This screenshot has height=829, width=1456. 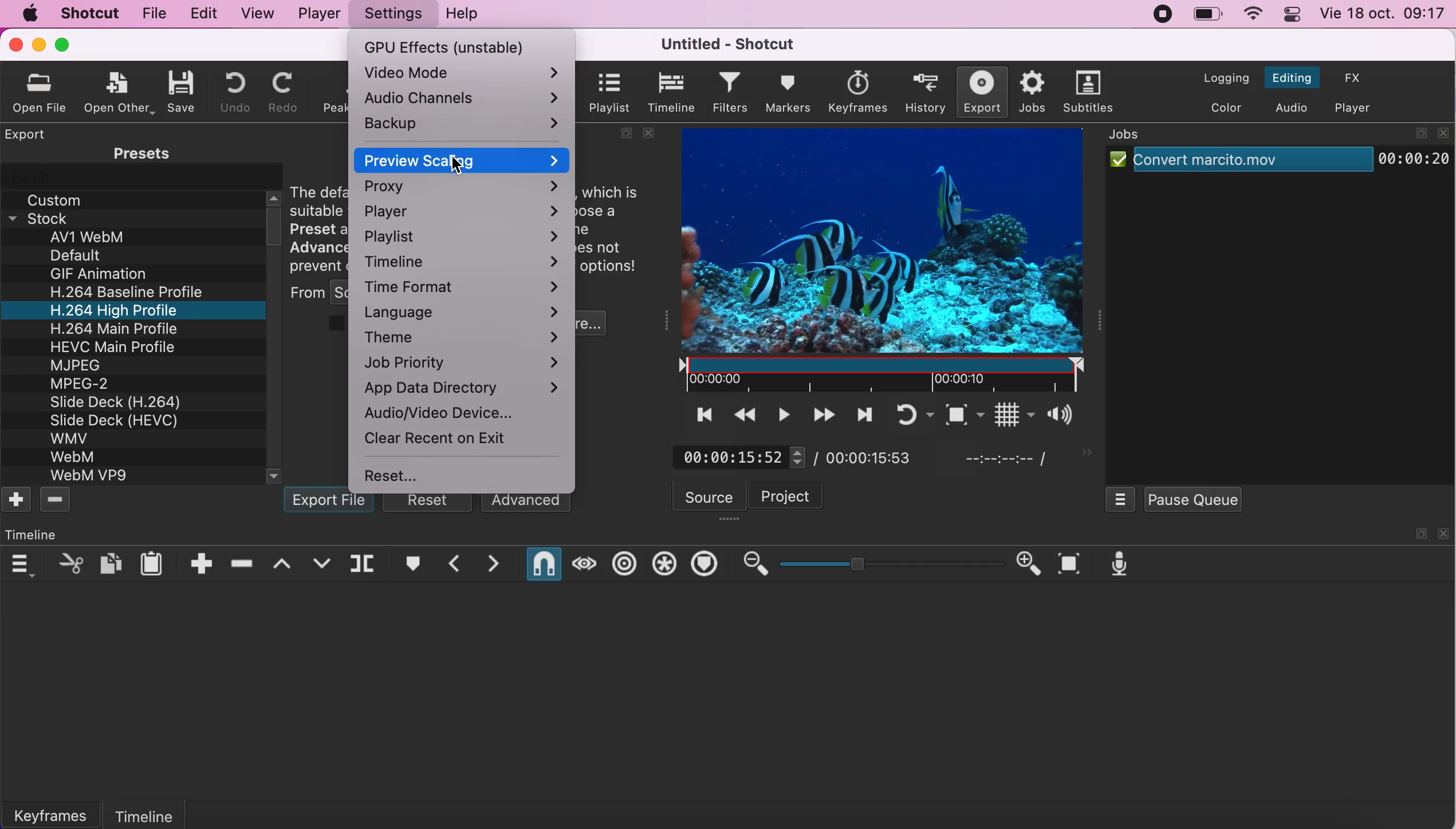 I want to click on settings, so click(x=391, y=14).